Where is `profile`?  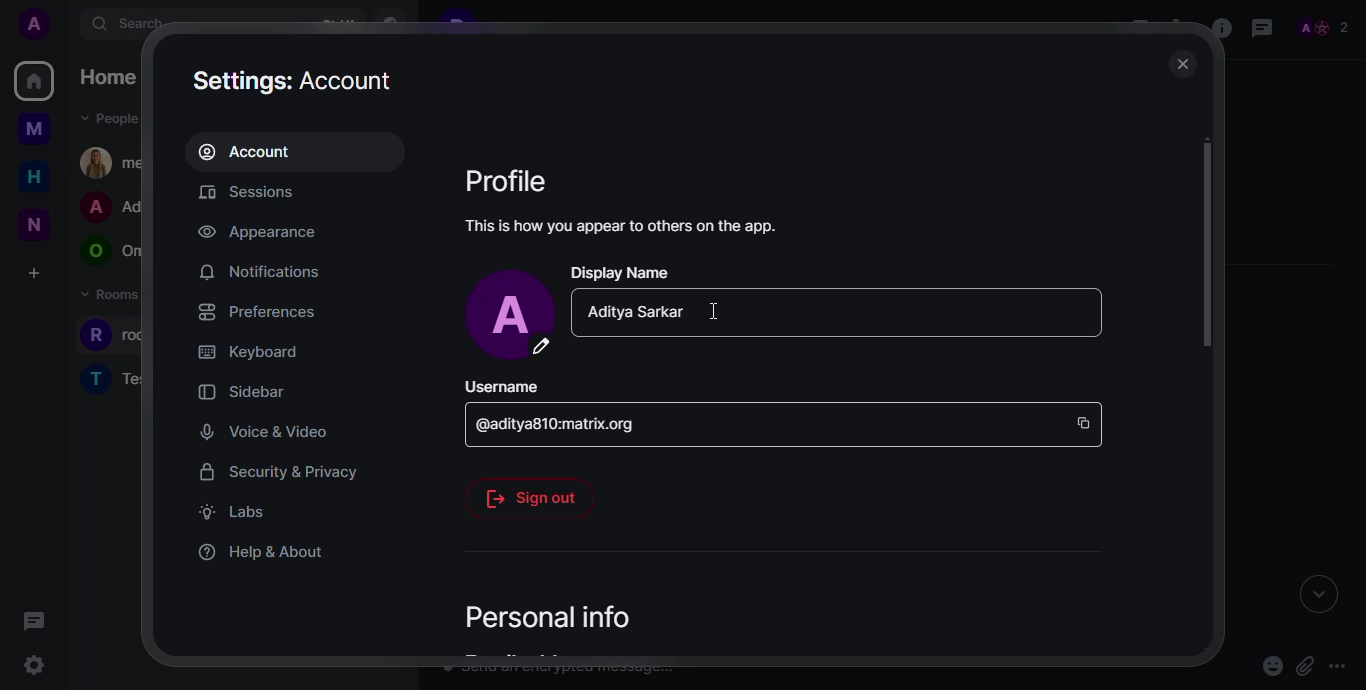
profile is located at coordinates (508, 180).